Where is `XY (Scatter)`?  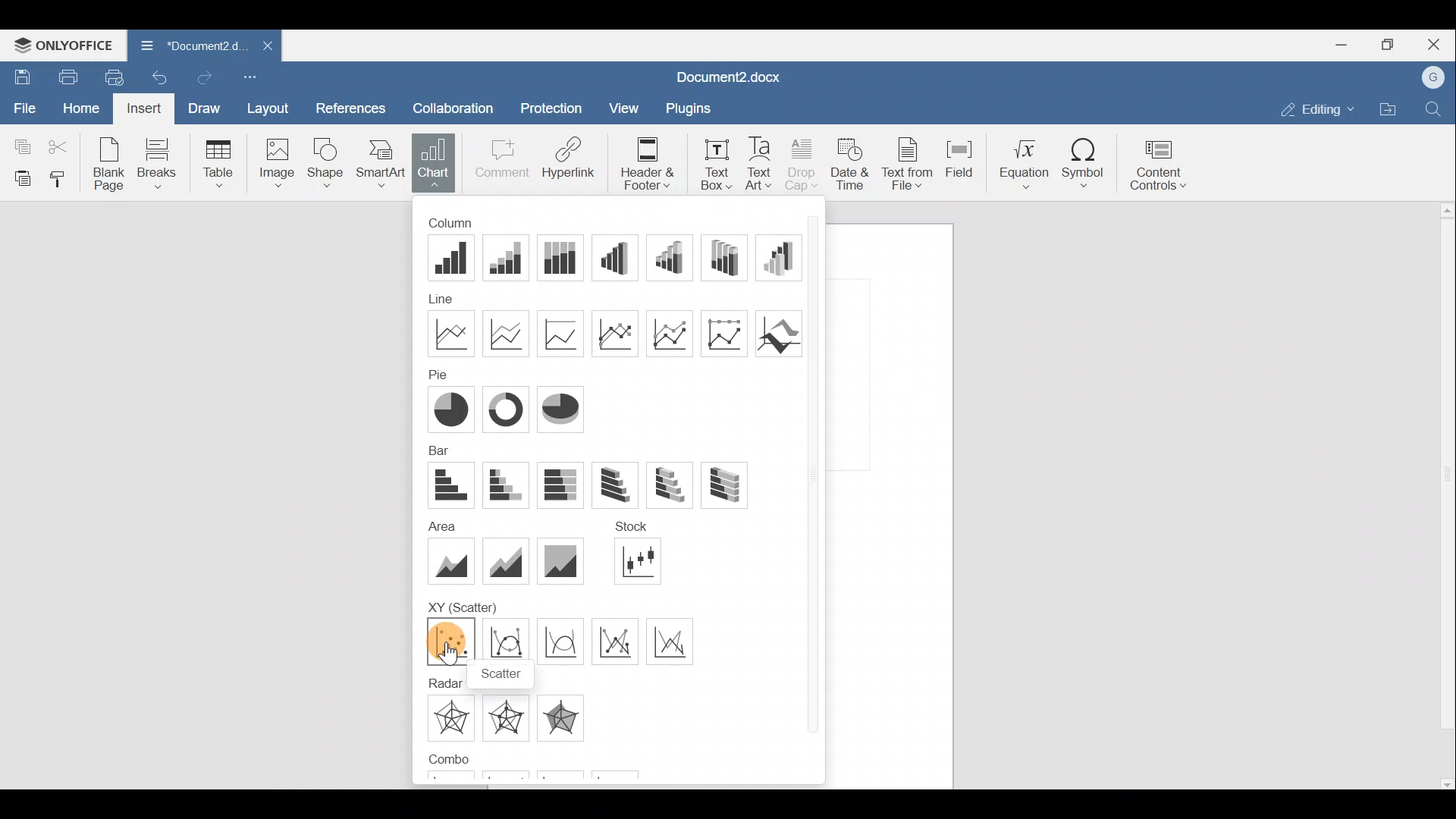
XY (Scatter) is located at coordinates (461, 602).